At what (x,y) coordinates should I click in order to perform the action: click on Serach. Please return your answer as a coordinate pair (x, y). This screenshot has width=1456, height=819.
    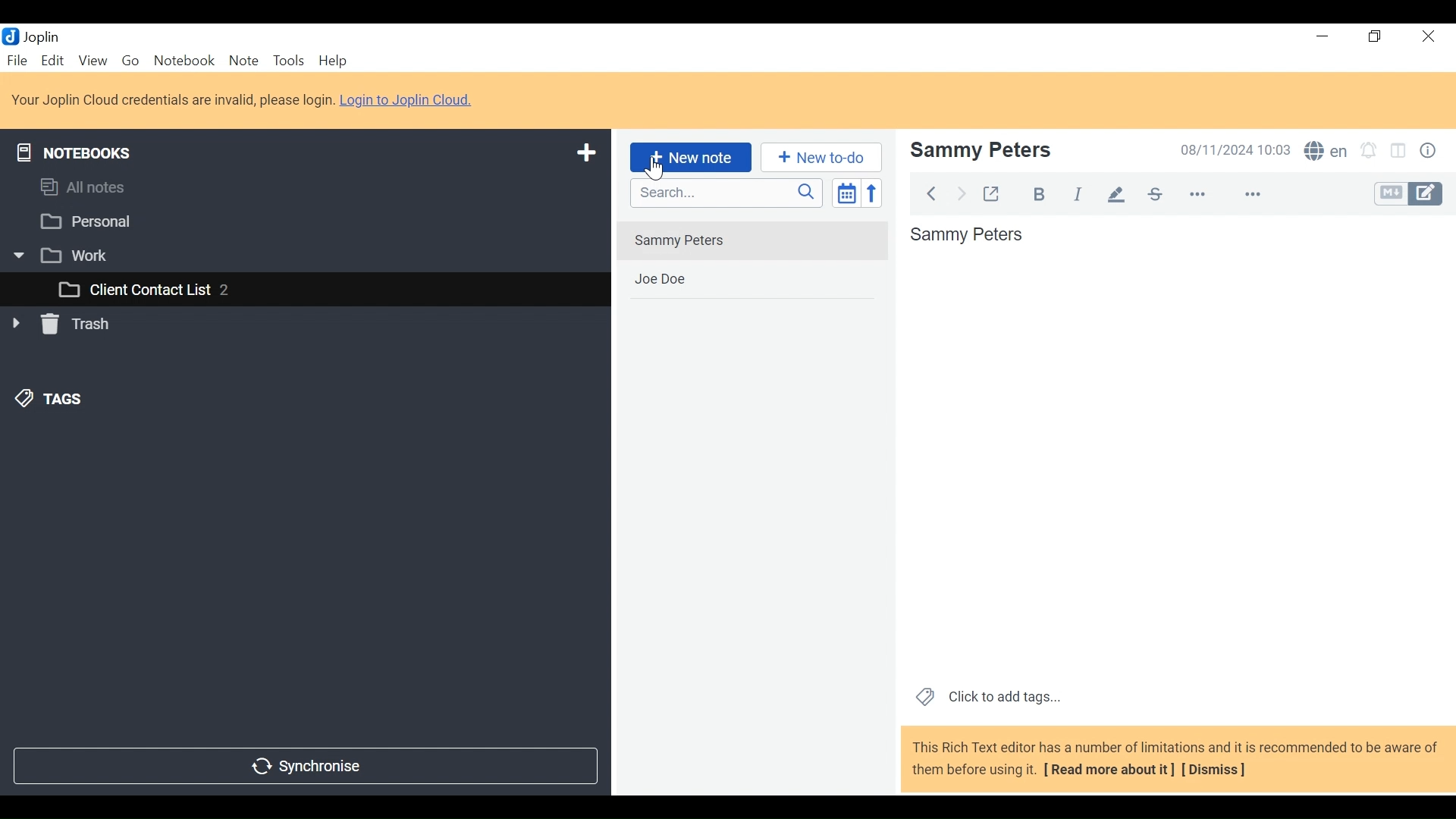
    Looking at the image, I should click on (726, 193).